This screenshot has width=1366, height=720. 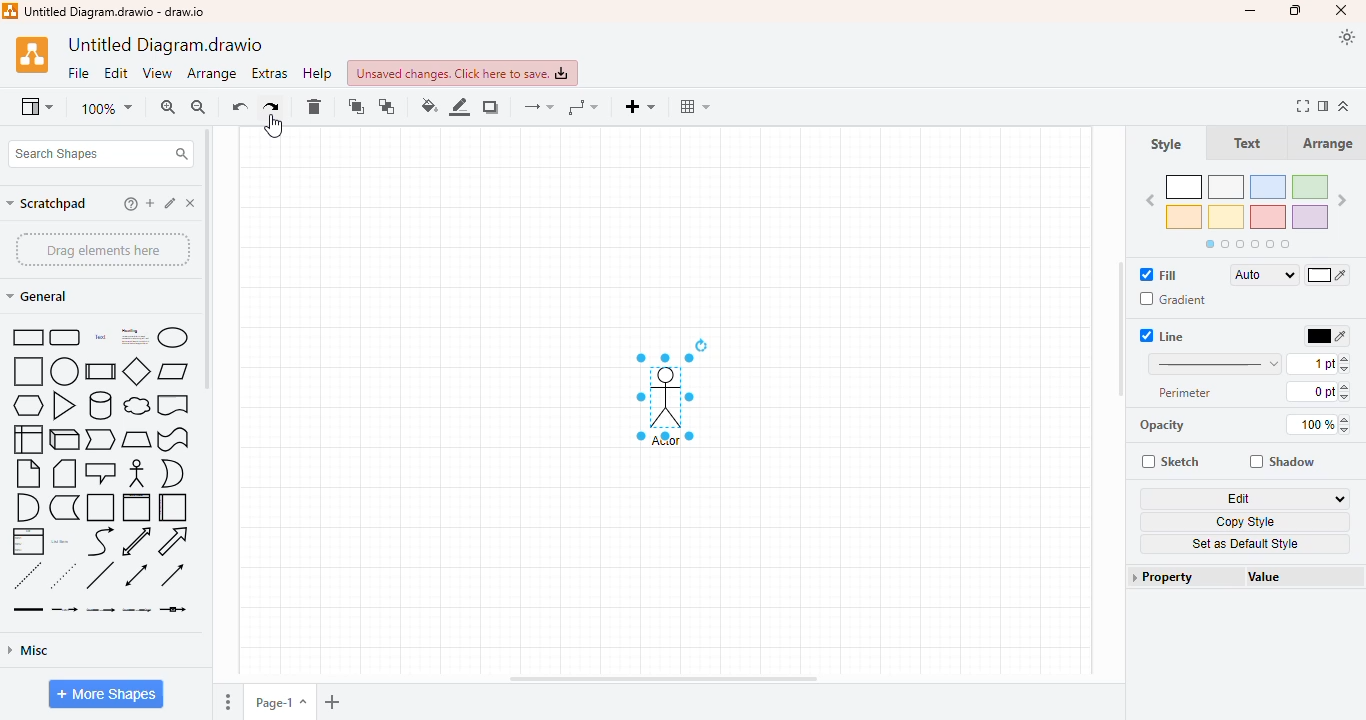 What do you see at coordinates (1245, 544) in the screenshot?
I see `set as default style` at bounding box center [1245, 544].